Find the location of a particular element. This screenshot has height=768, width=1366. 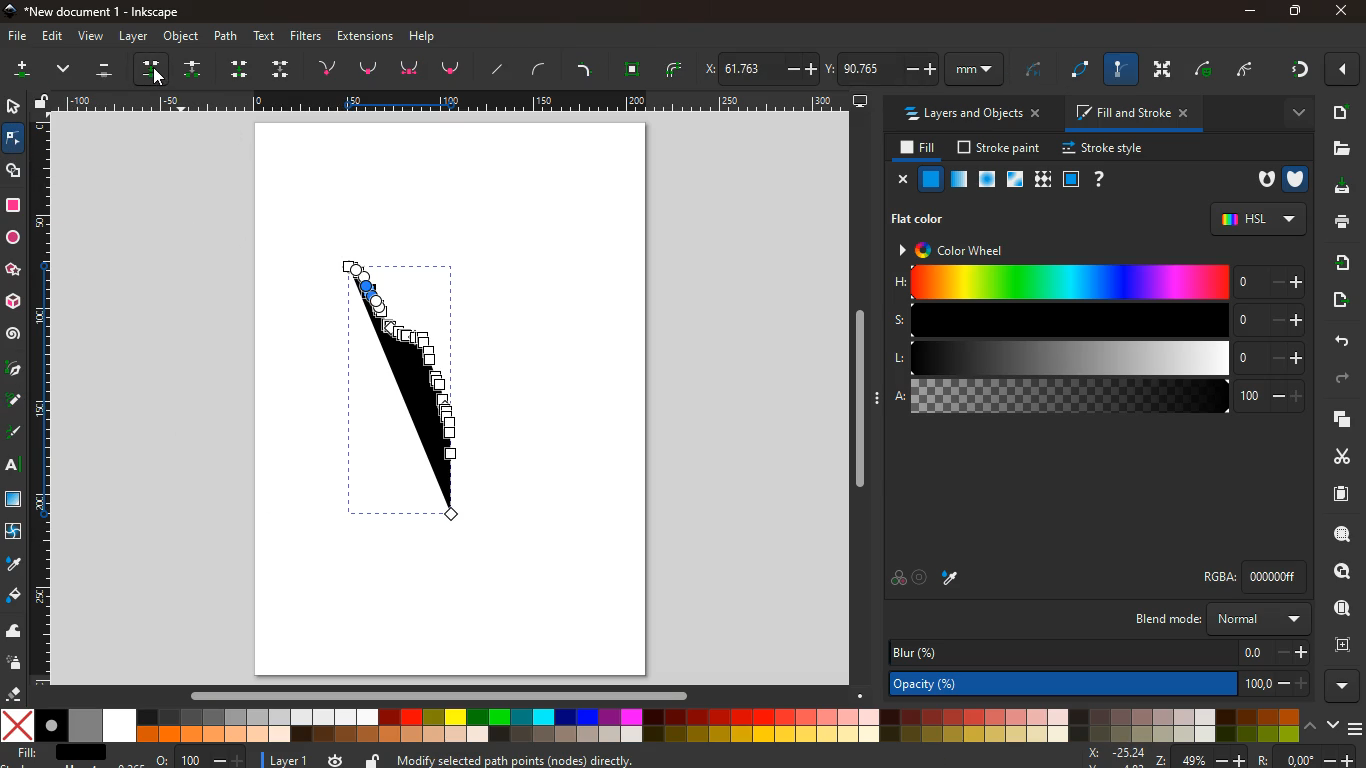

pencil took is located at coordinates (15, 400).